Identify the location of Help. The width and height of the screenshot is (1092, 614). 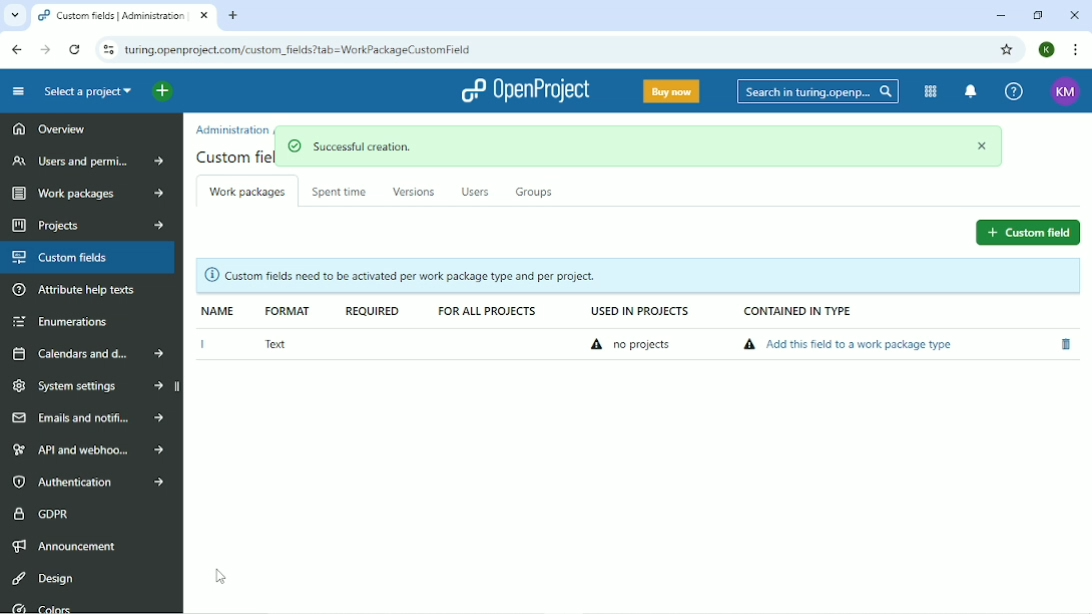
(1013, 92).